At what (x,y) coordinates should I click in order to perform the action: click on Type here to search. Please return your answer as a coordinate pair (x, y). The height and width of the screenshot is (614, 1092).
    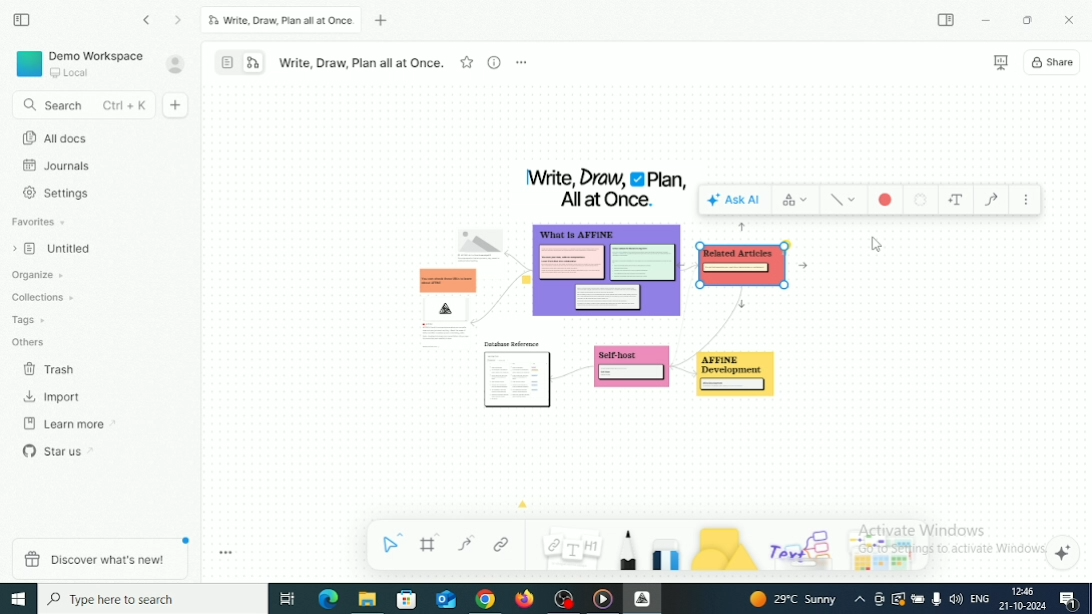
    Looking at the image, I should click on (153, 598).